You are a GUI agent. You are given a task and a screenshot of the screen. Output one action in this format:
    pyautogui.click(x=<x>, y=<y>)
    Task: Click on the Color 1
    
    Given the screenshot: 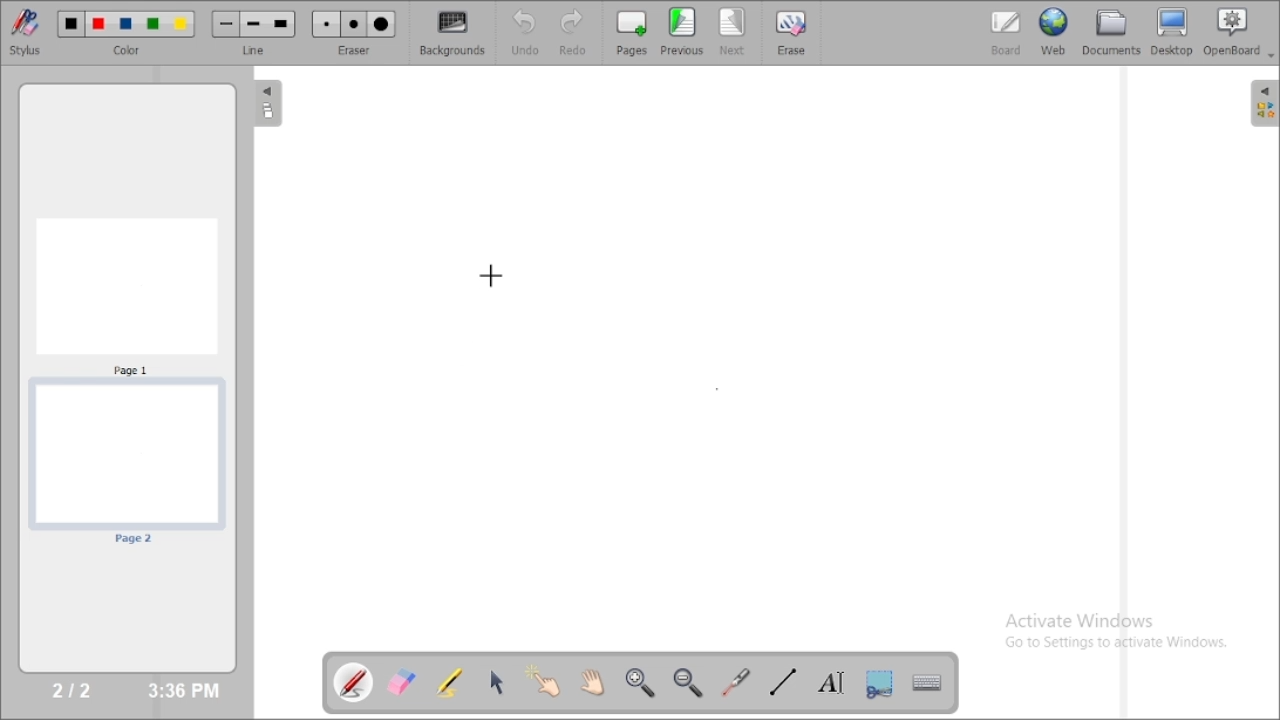 What is the action you would take?
    pyautogui.click(x=72, y=25)
    